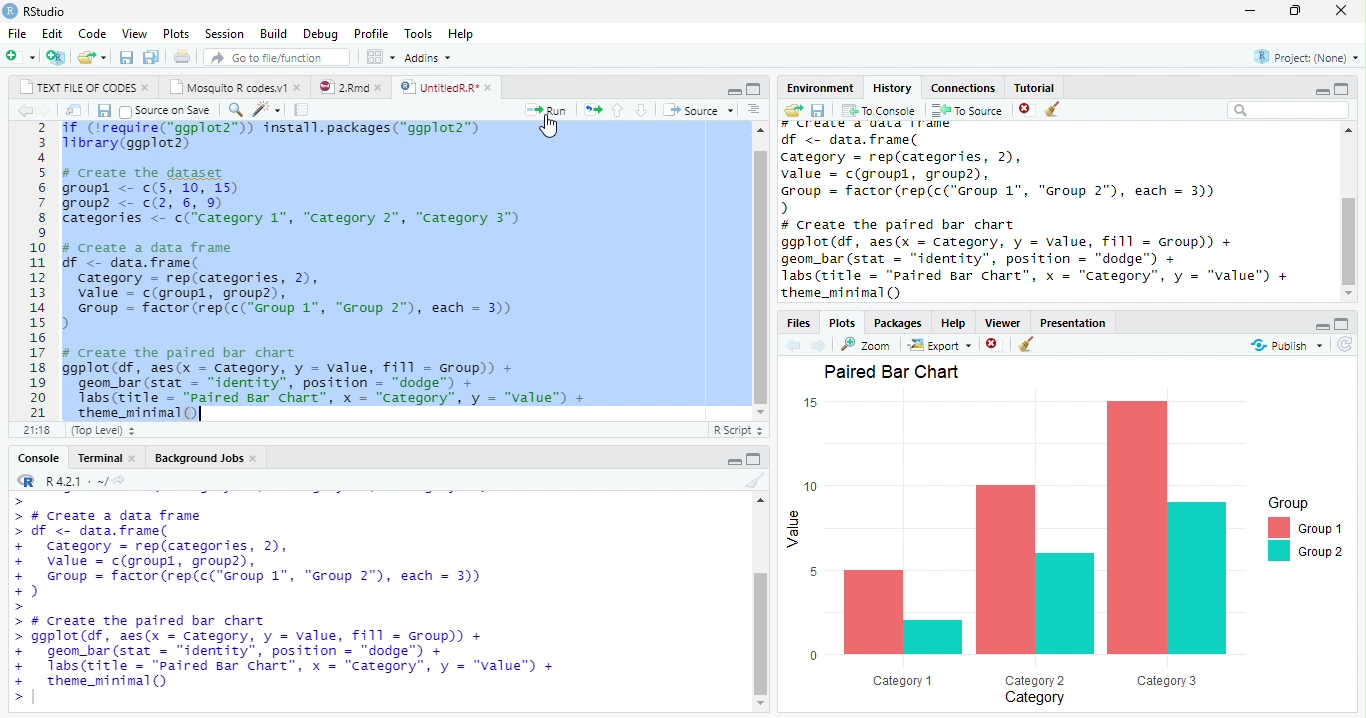 This screenshot has height=718, width=1366. What do you see at coordinates (1351, 294) in the screenshot?
I see `scroll down` at bounding box center [1351, 294].